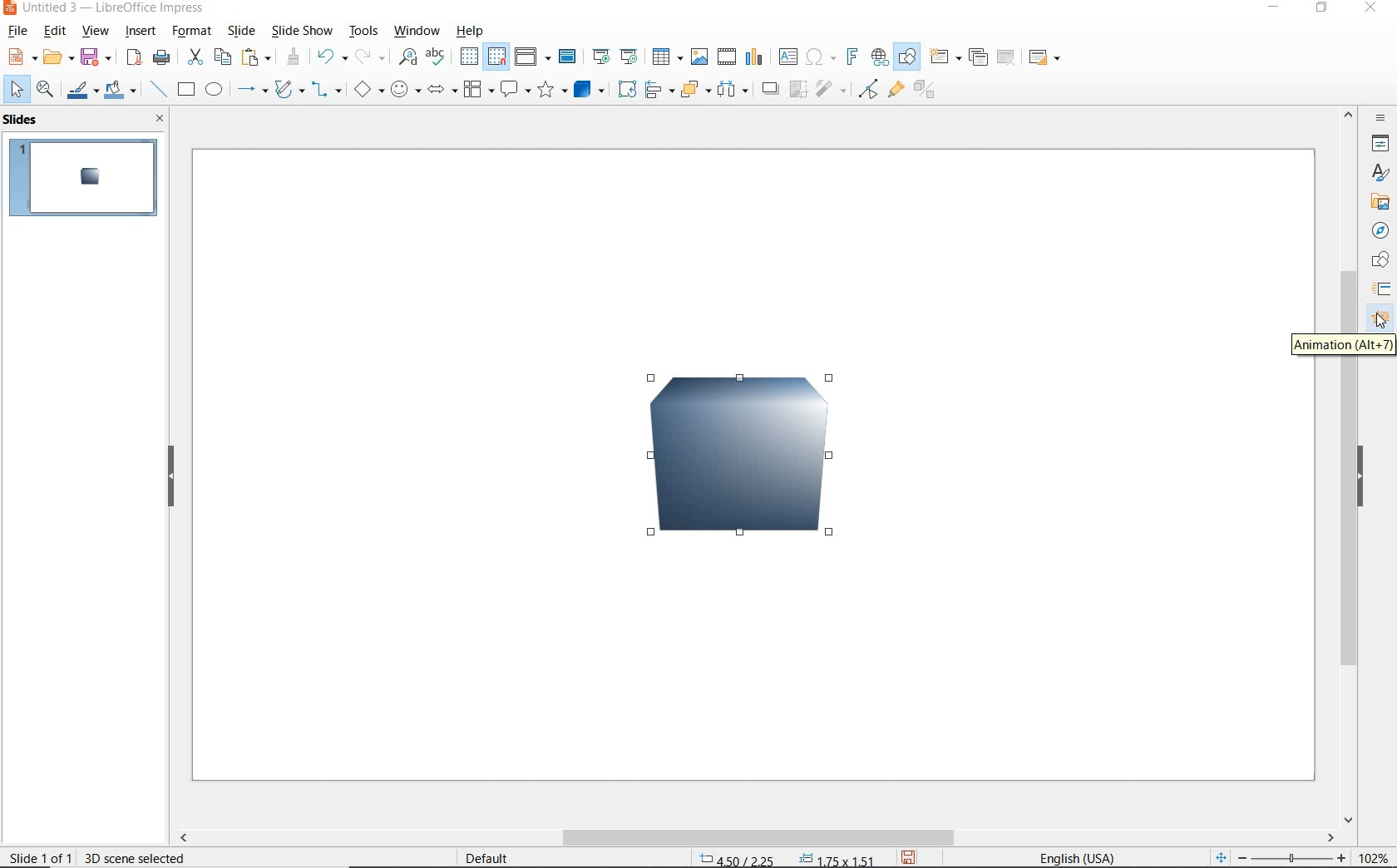  What do you see at coordinates (799, 87) in the screenshot?
I see `crop image` at bounding box center [799, 87].